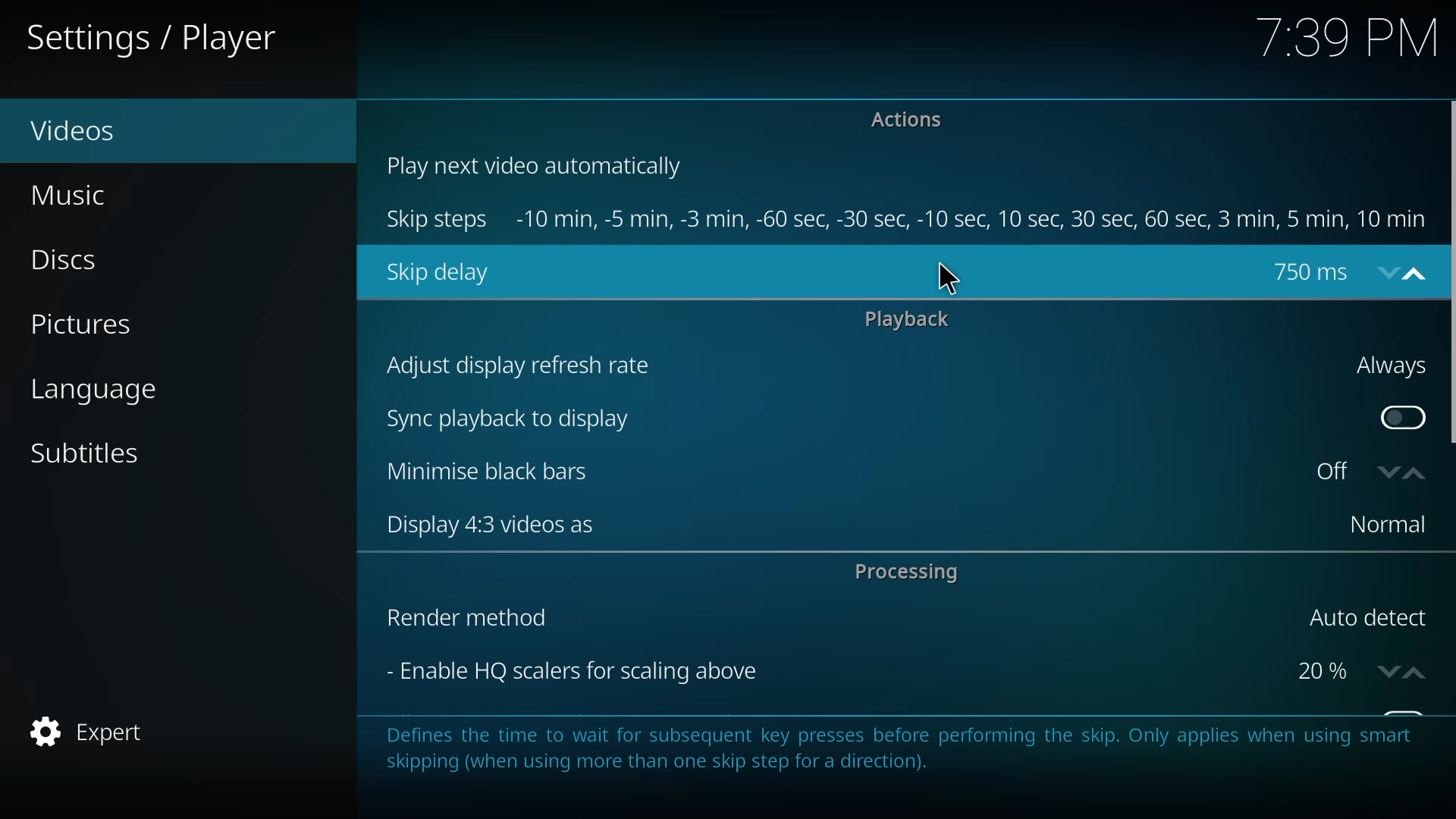  What do you see at coordinates (1381, 525) in the screenshot?
I see `normal` at bounding box center [1381, 525].